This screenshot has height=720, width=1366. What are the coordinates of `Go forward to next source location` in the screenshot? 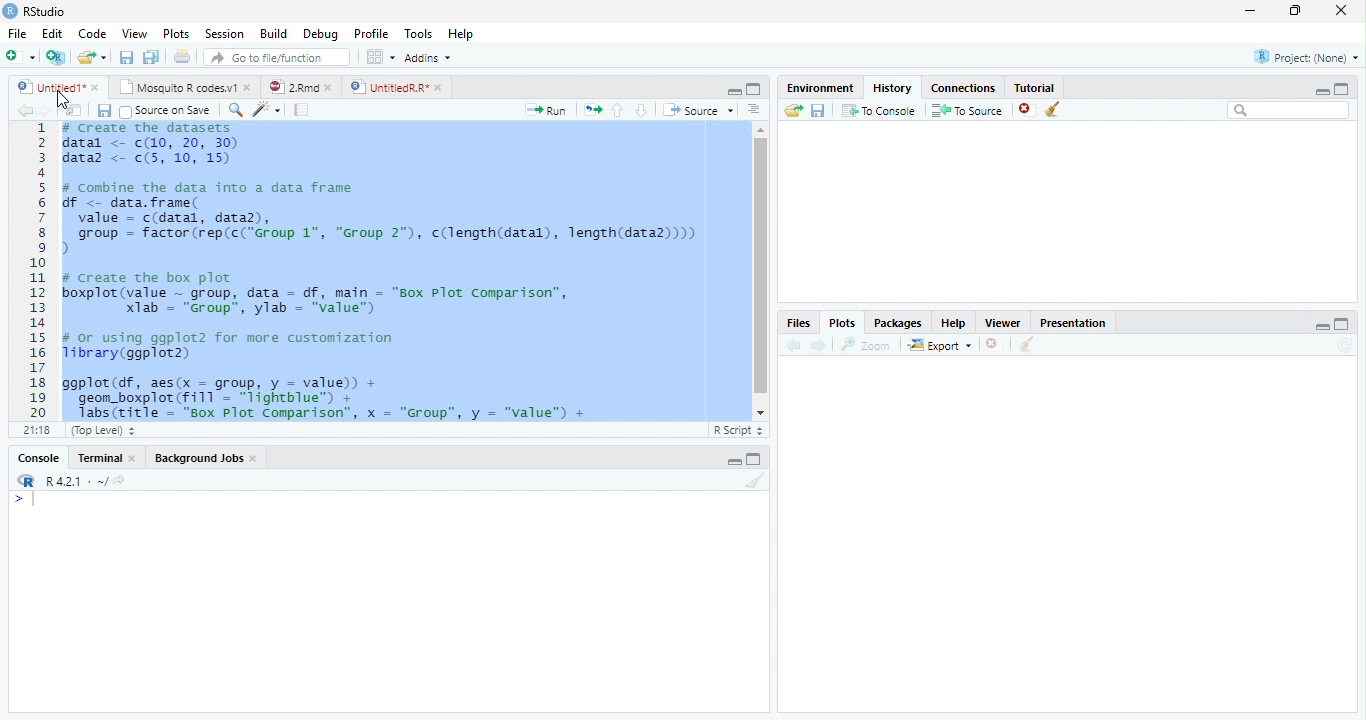 It's located at (44, 111).